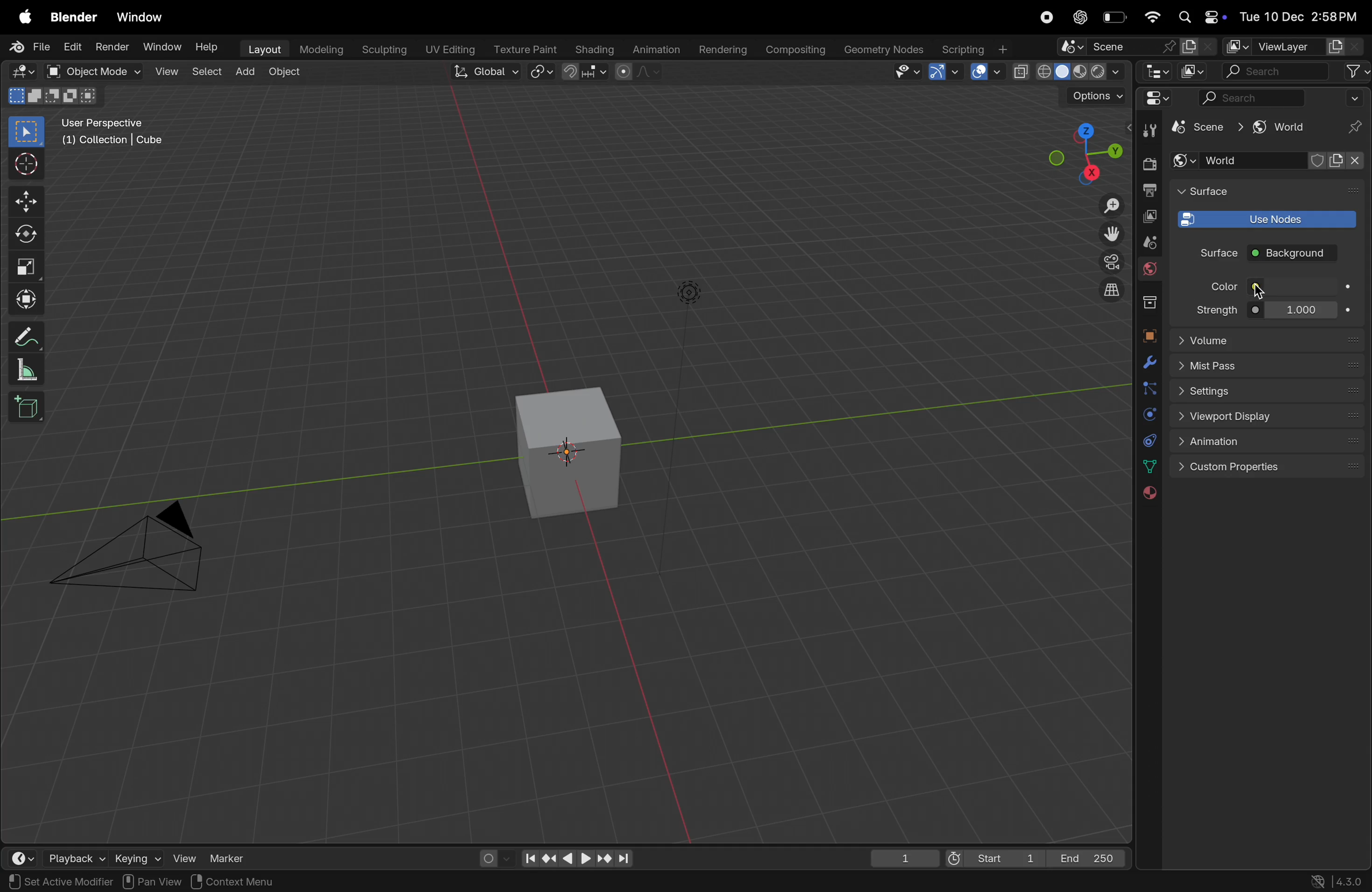 Image resolution: width=1372 pixels, height=892 pixels. Describe the element at coordinates (27, 131) in the screenshot. I see `selective` at that location.